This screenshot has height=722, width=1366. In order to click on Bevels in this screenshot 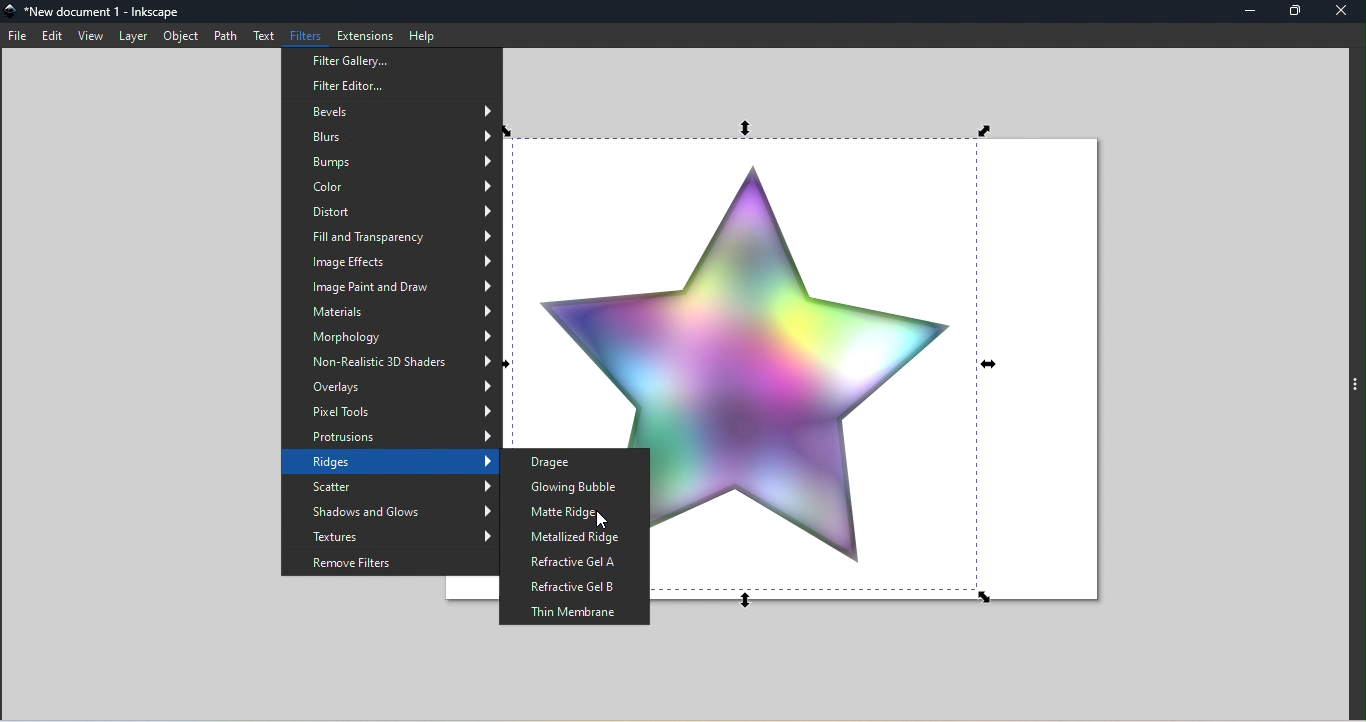, I will do `click(390, 109)`.